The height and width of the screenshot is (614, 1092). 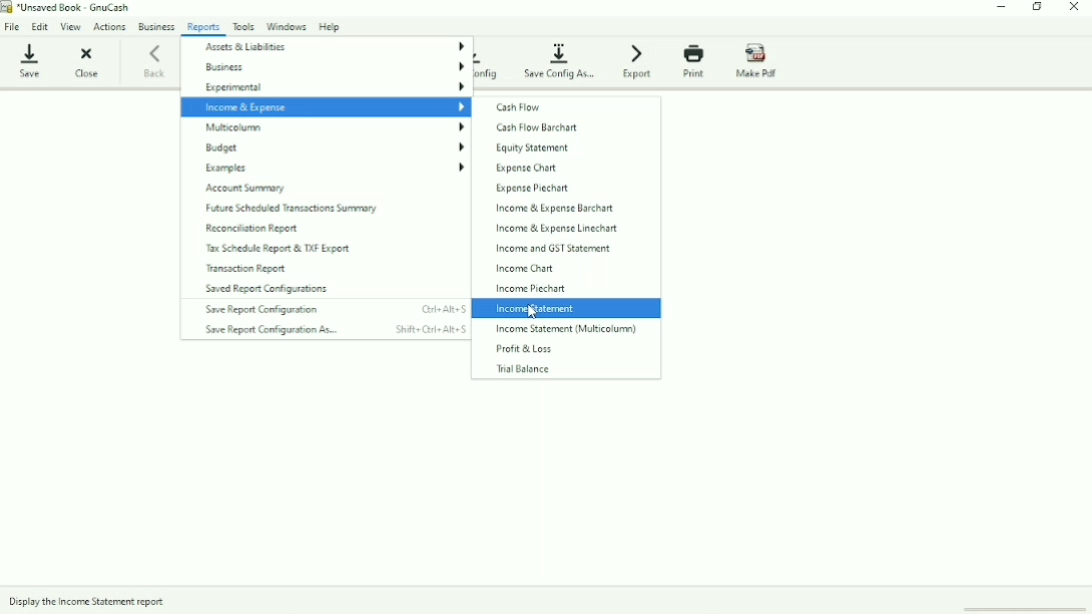 I want to click on Tools, so click(x=245, y=25).